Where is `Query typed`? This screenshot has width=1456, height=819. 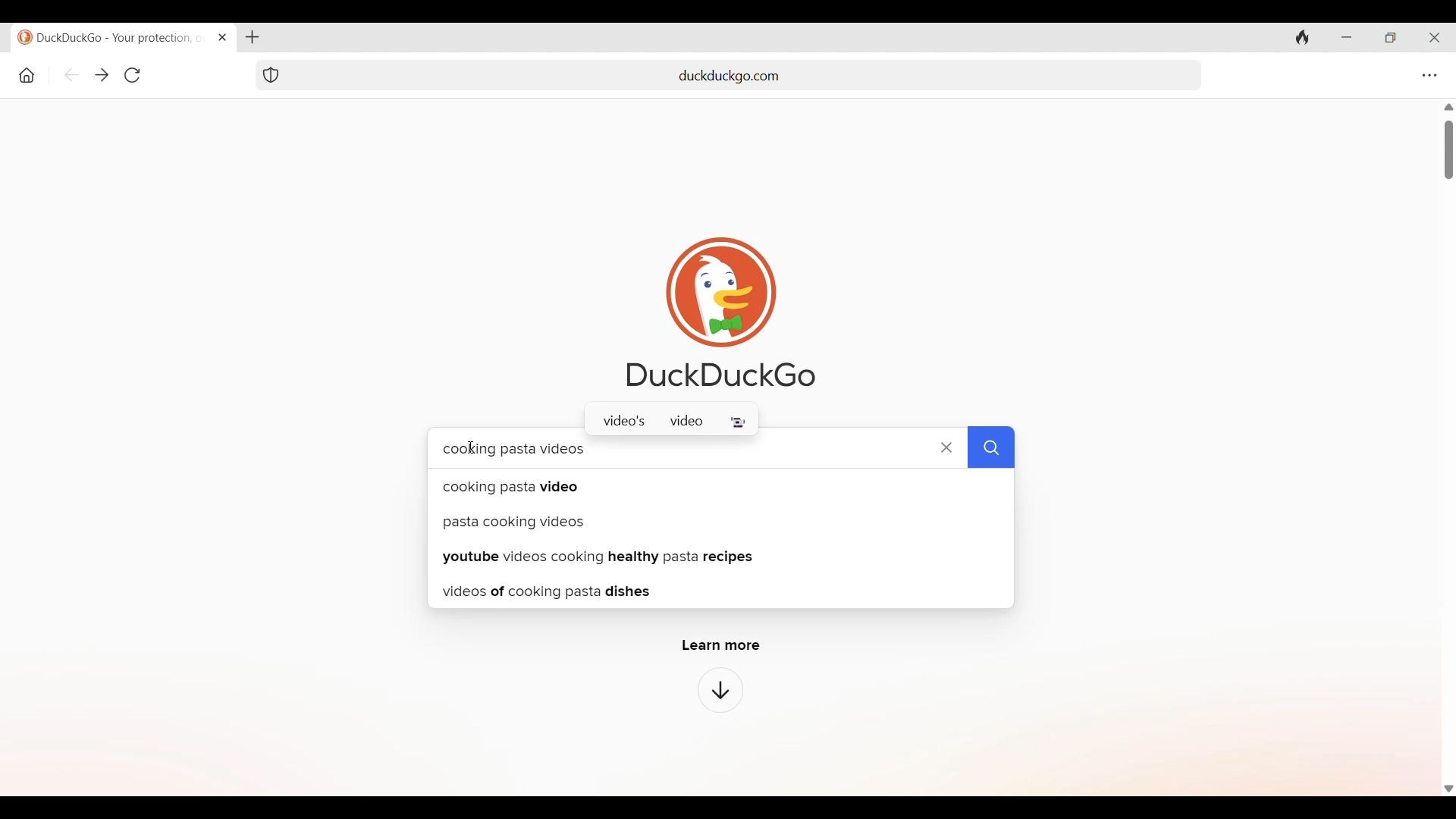 Query typed is located at coordinates (652, 447).